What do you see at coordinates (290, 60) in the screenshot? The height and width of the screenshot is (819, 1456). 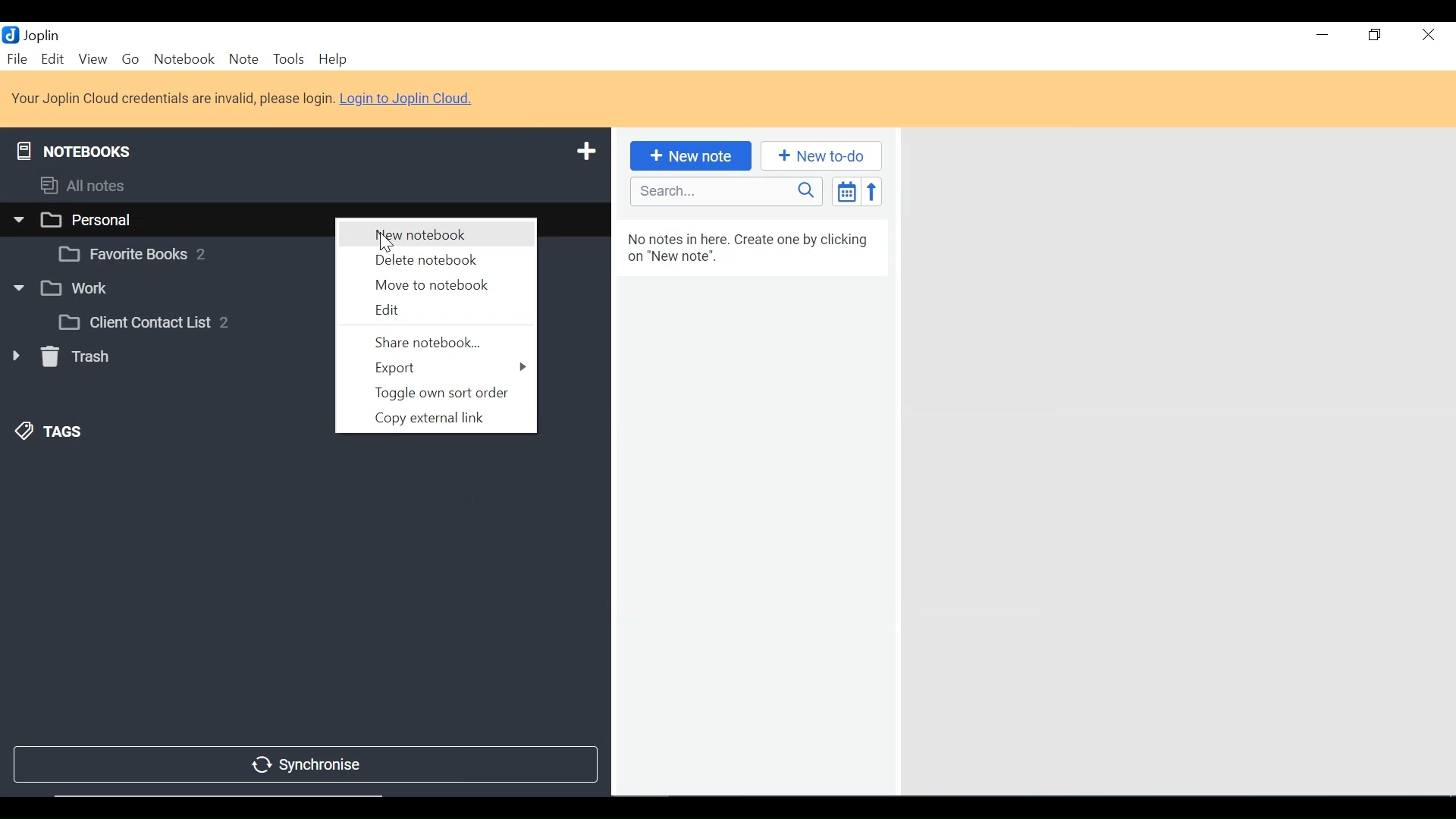 I see `Tools` at bounding box center [290, 60].